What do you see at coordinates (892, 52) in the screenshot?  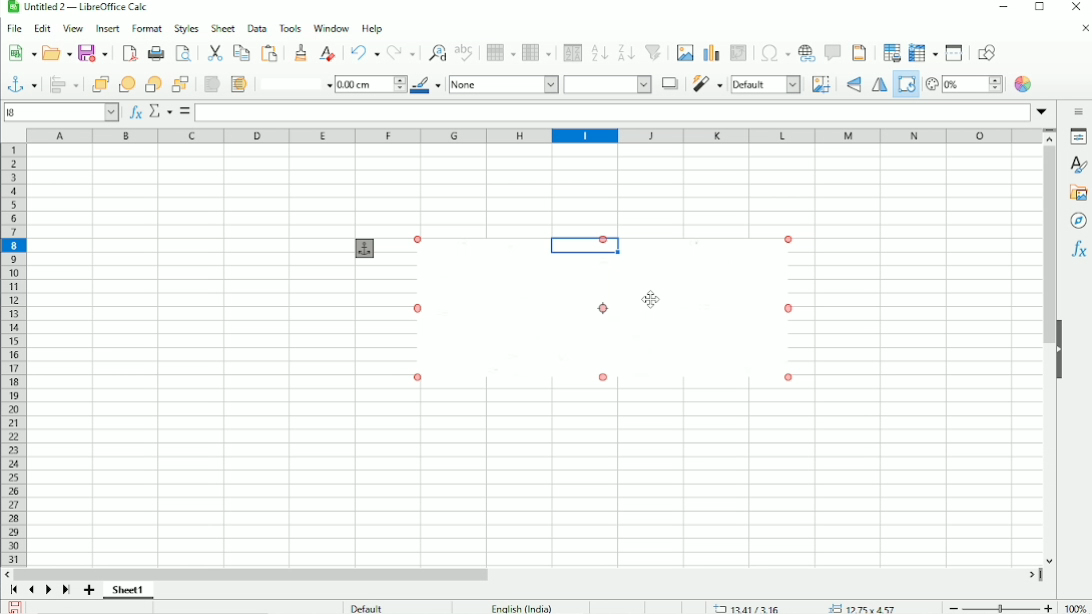 I see `Define print area` at bounding box center [892, 52].